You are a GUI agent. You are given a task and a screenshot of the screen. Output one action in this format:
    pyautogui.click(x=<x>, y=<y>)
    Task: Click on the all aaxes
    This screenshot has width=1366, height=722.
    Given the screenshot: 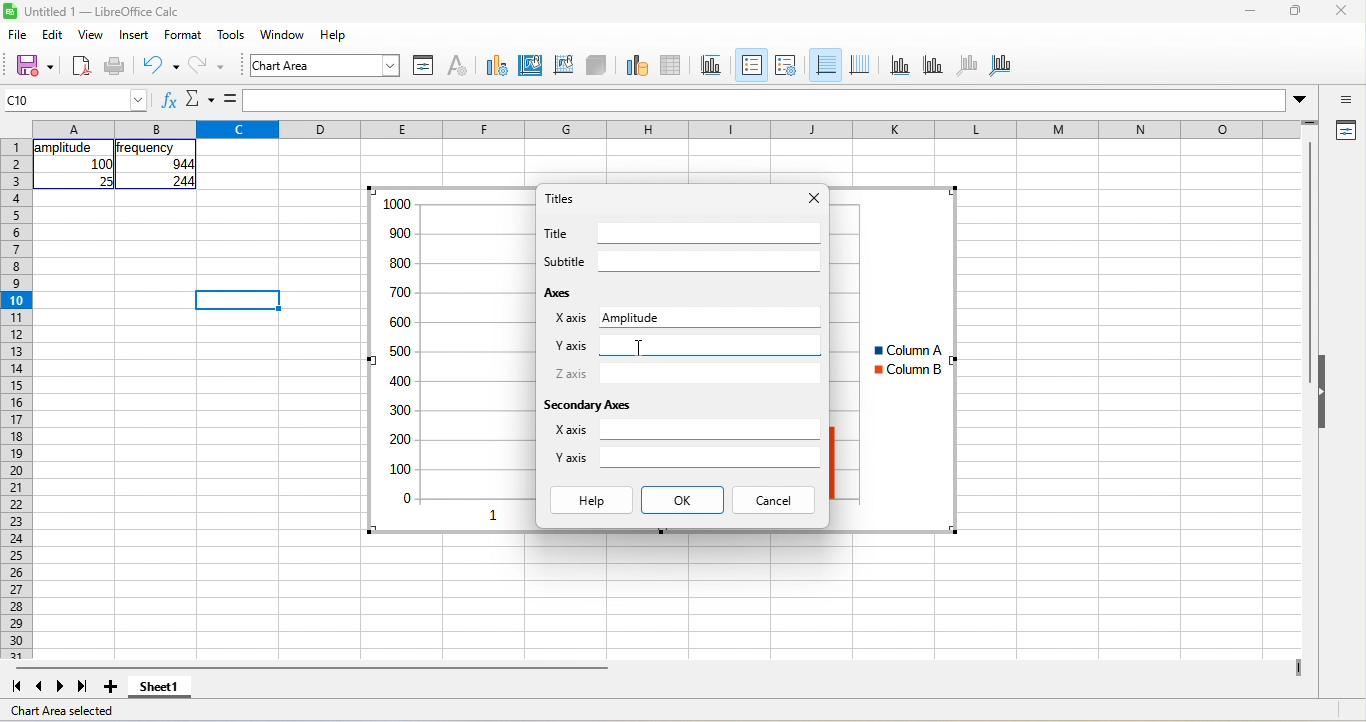 What is the action you would take?
    pyautogui.click(x=1000, y=66)
    